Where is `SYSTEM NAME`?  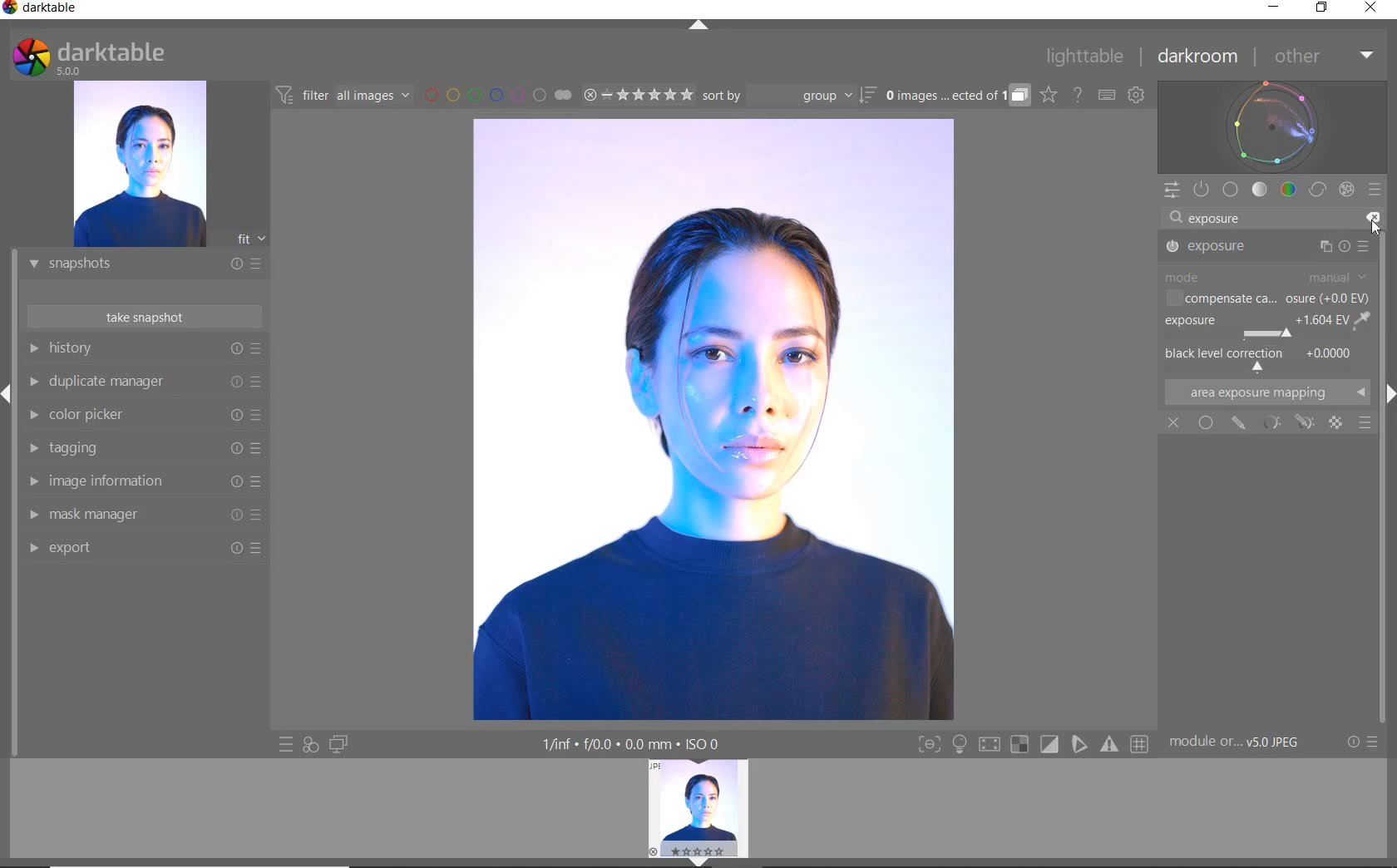
SYSTEM NAME is located at coordinates (43, 11).